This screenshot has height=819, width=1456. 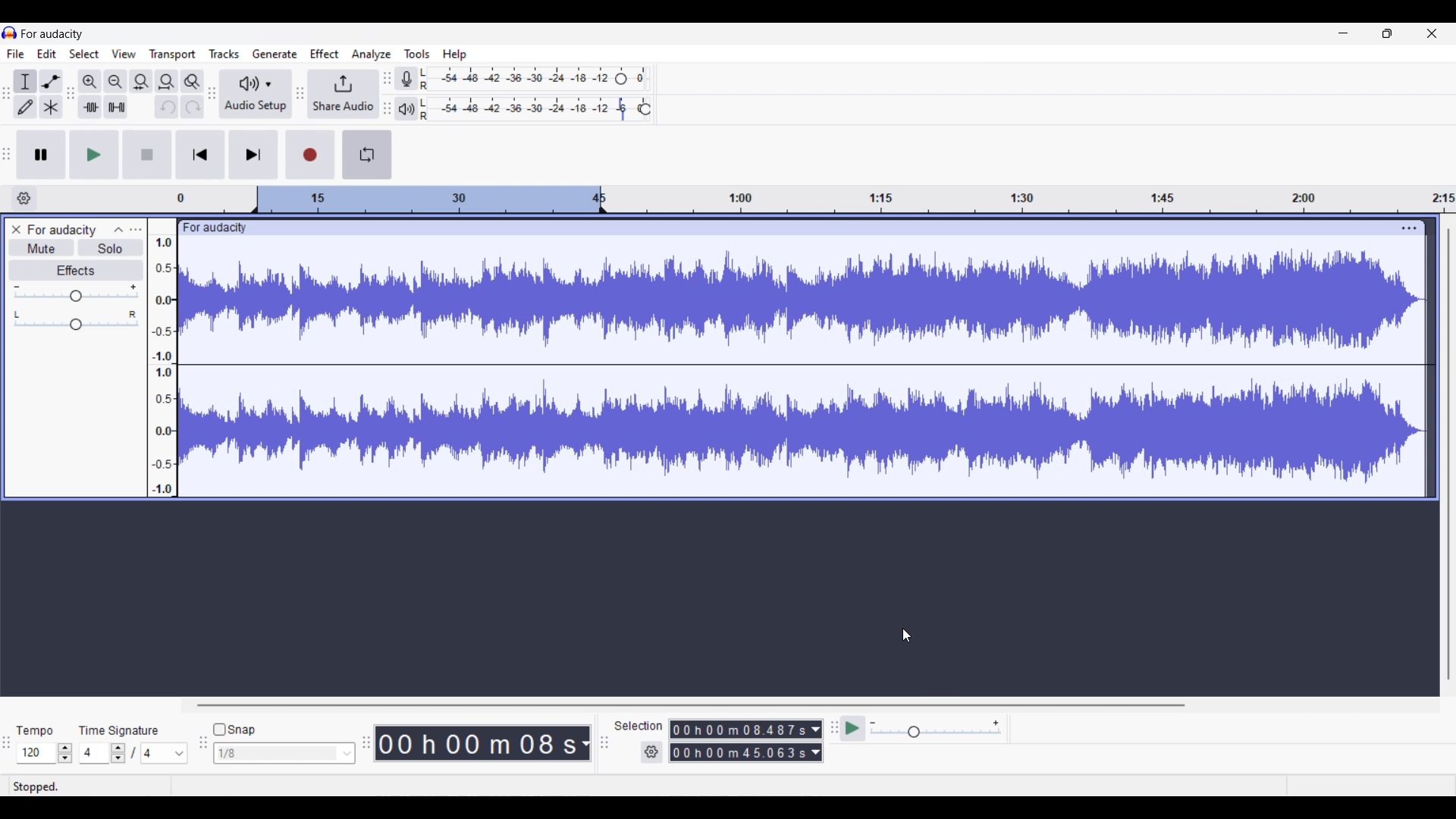 What do you see at coordinates (33, 753) in the screenshot?
I see `Tempo options` at bounding box center [33, 753].